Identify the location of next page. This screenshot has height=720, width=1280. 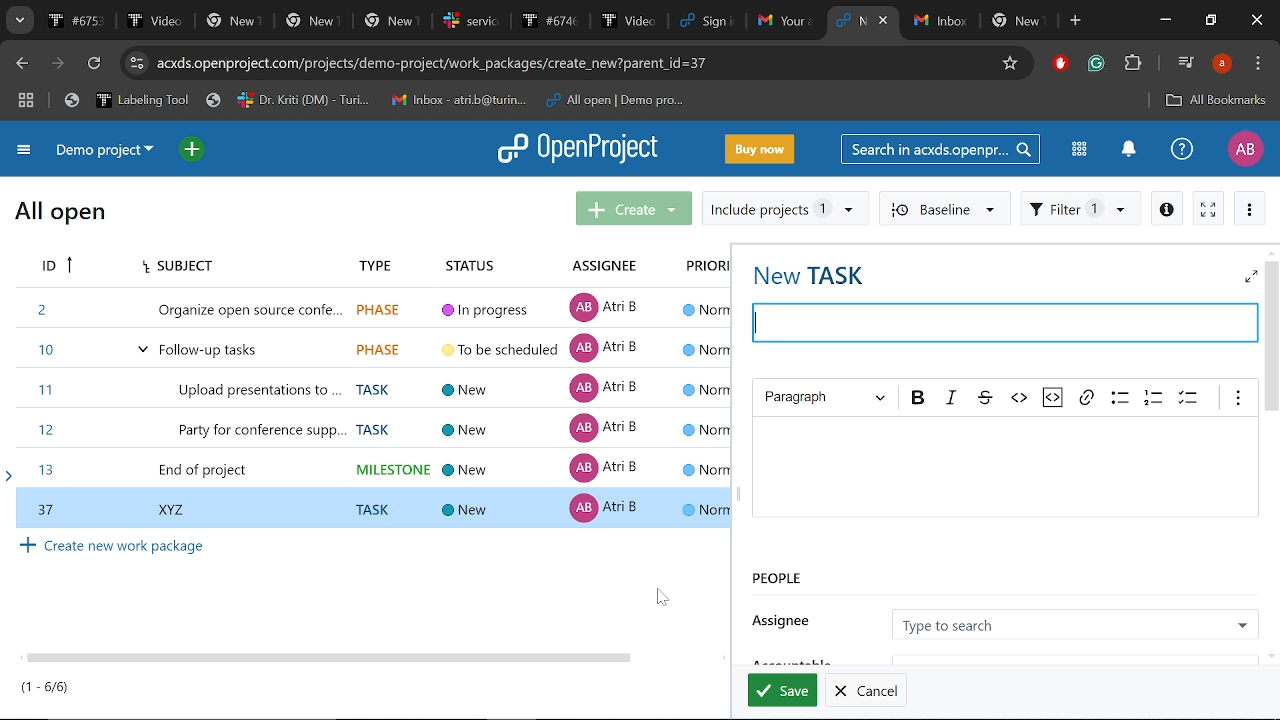
(57, 64).